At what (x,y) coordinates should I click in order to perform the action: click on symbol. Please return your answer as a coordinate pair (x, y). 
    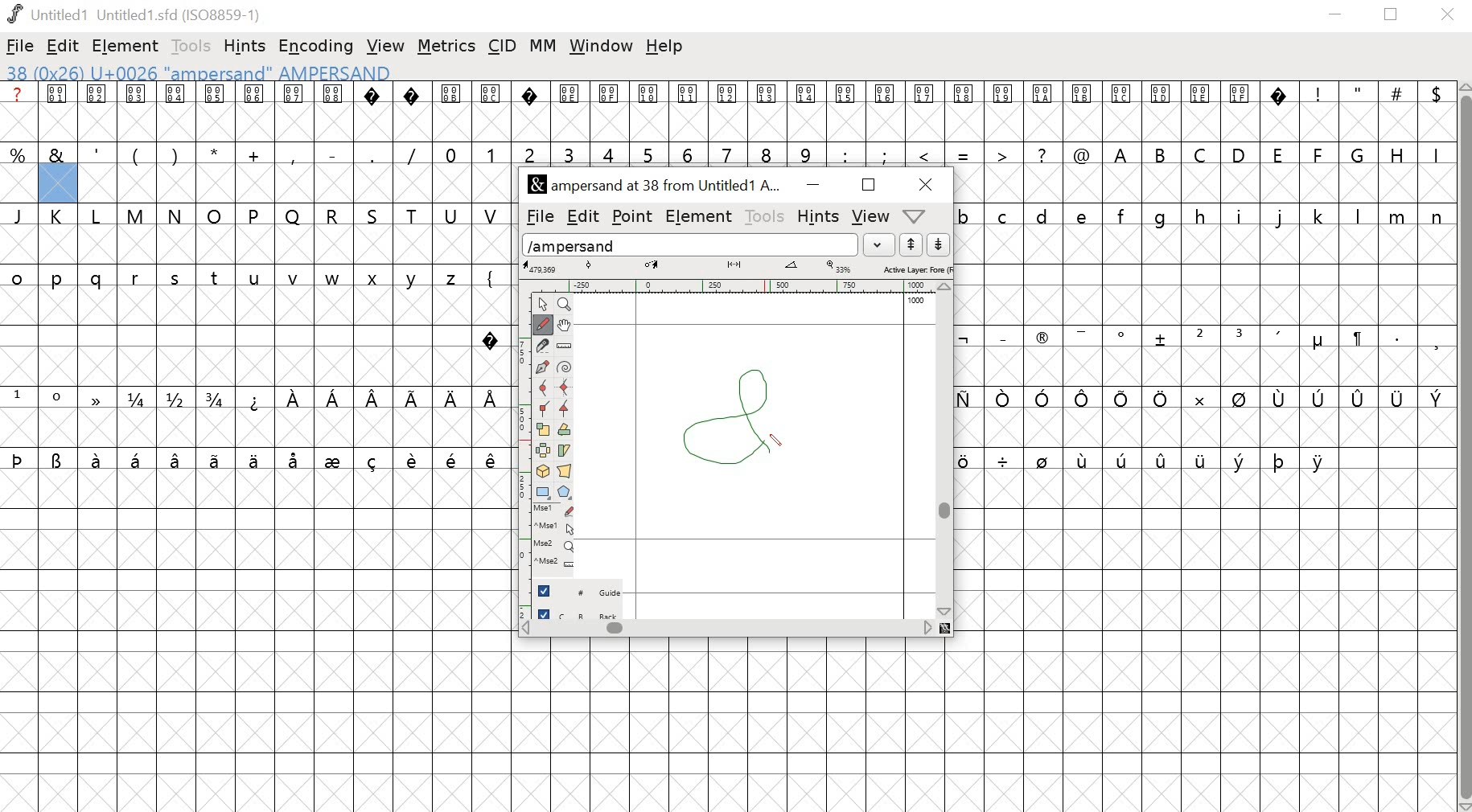
    Looking at the image, I should click on (1004, 460).